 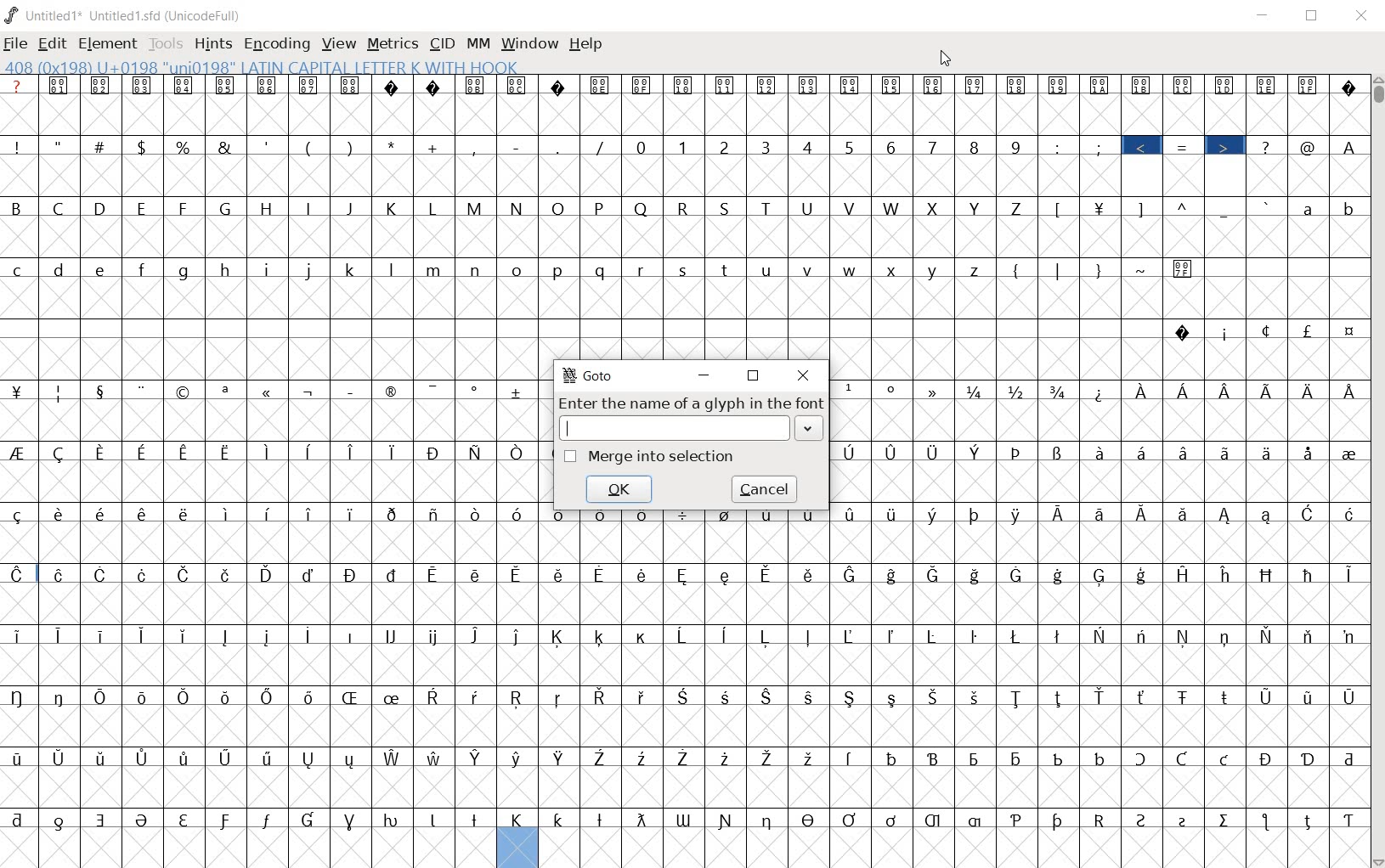 I want to click on empty glyph slots, so click(x=270, y=421).